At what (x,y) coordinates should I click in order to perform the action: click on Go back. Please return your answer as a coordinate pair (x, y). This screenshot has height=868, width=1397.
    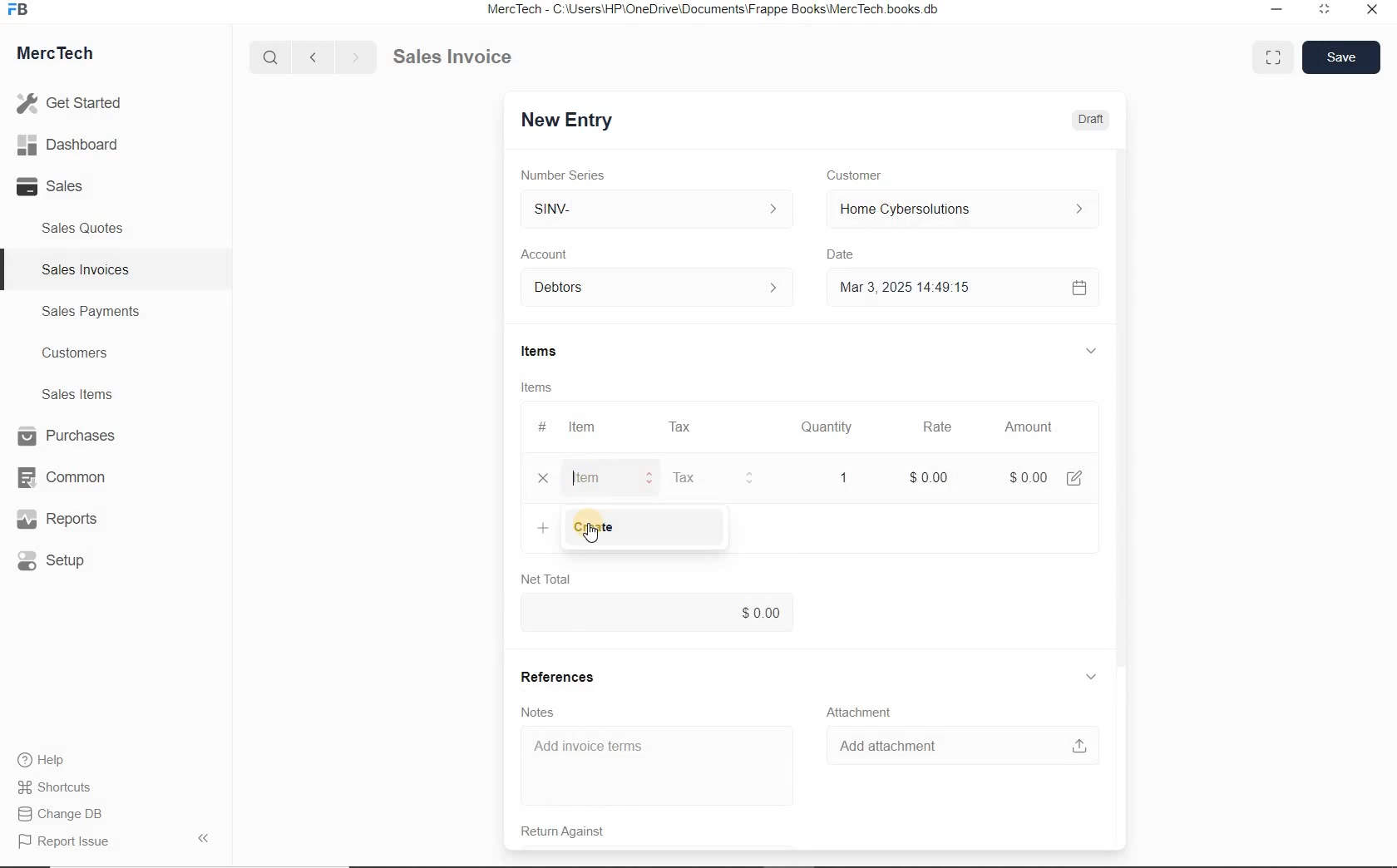
    Looking at the image, I should click on (315, 57).